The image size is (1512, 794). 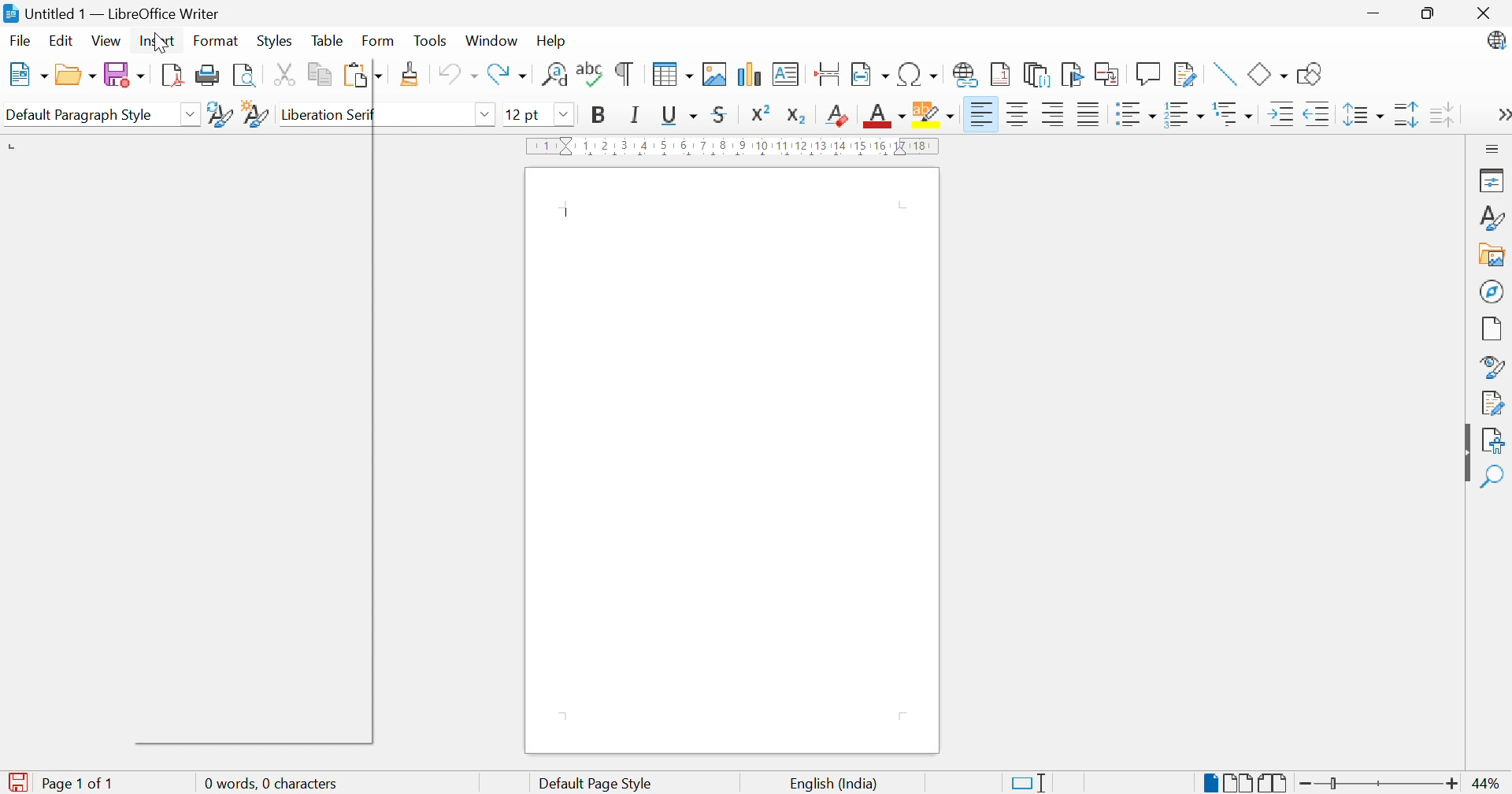 What do you see at coordinates (761, 113) in the screenshot?
I see `Superscript` at bounding box center [761, 113].